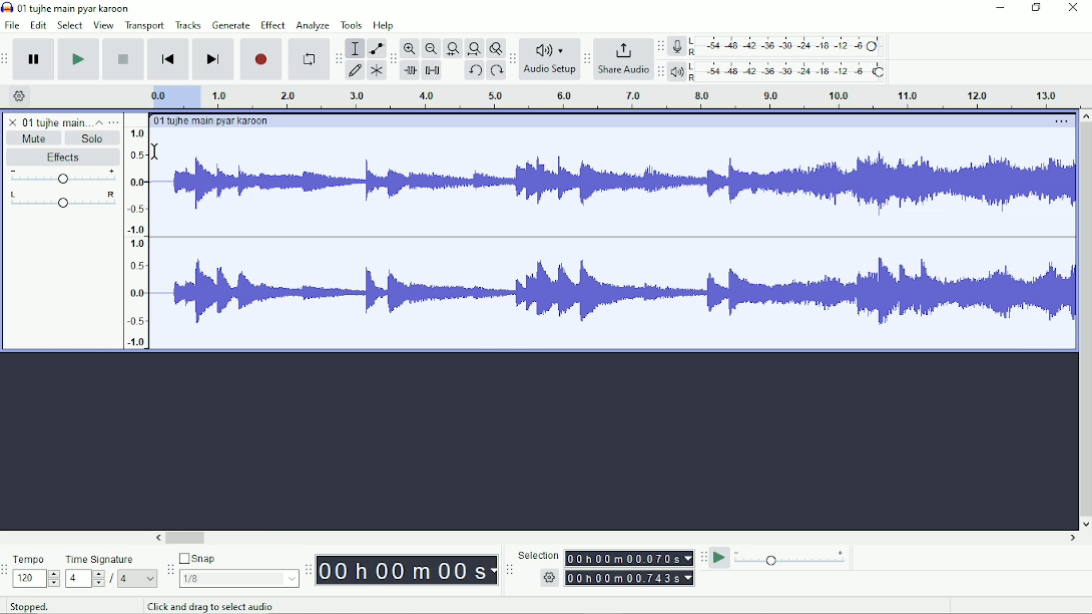  What do you see at coordinates (512, 59) in the screenshot?
I see `Audacity audio setup toolbar` at bounding box center [512, 59].